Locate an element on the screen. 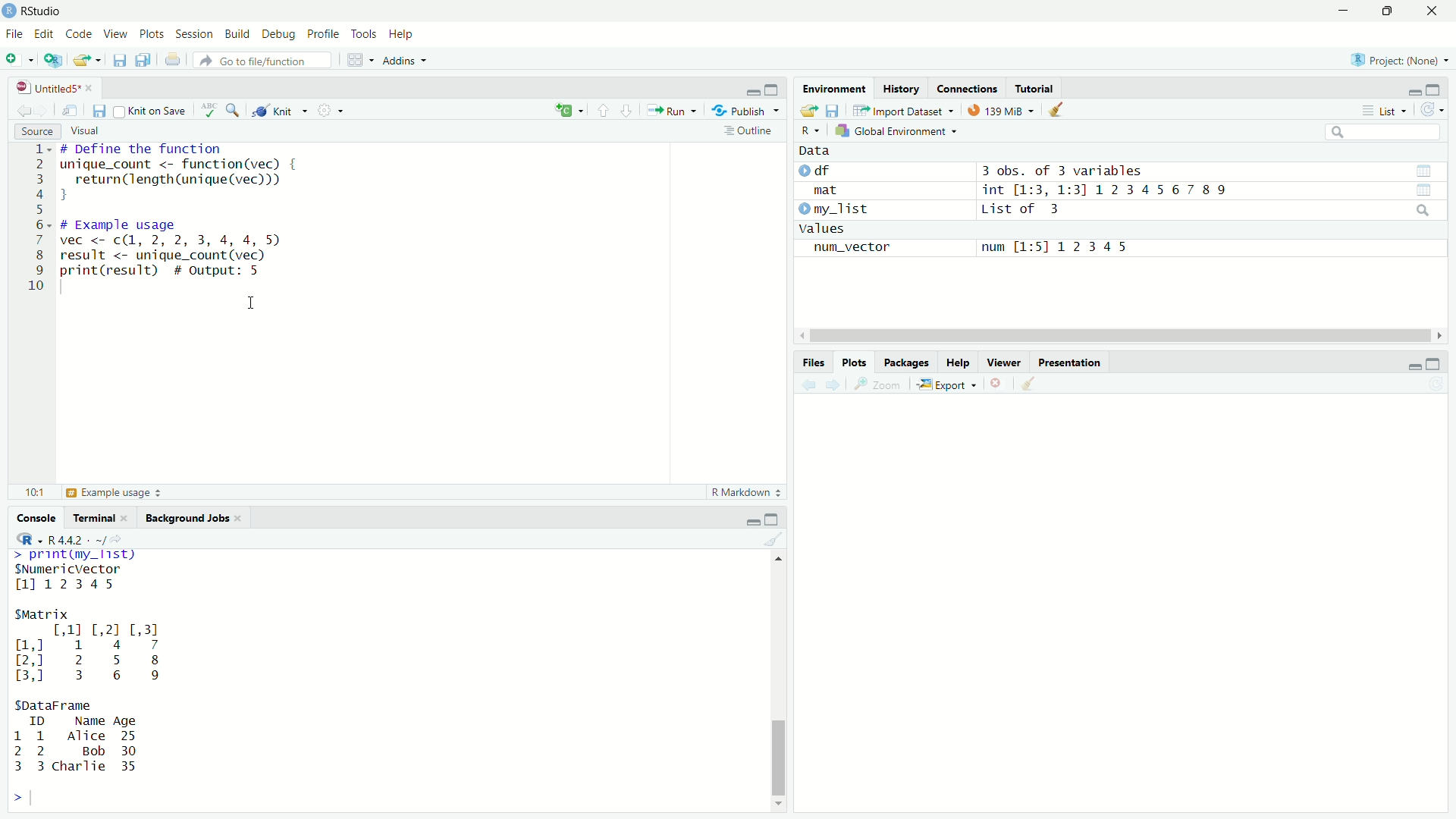  Console is located at coordinates (38, 517).